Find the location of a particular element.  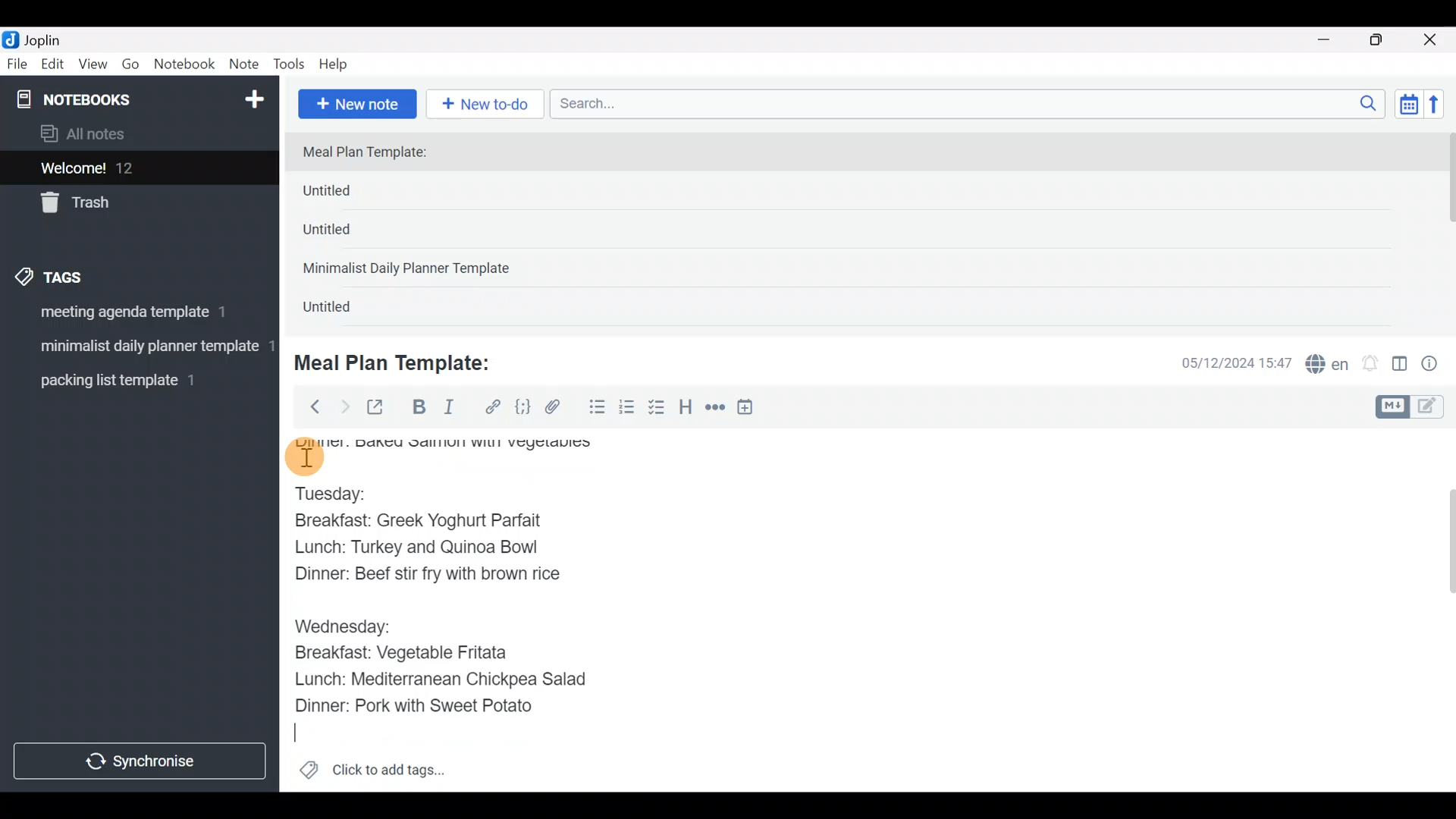

Set alarm is located at coordinates (1371, 365).